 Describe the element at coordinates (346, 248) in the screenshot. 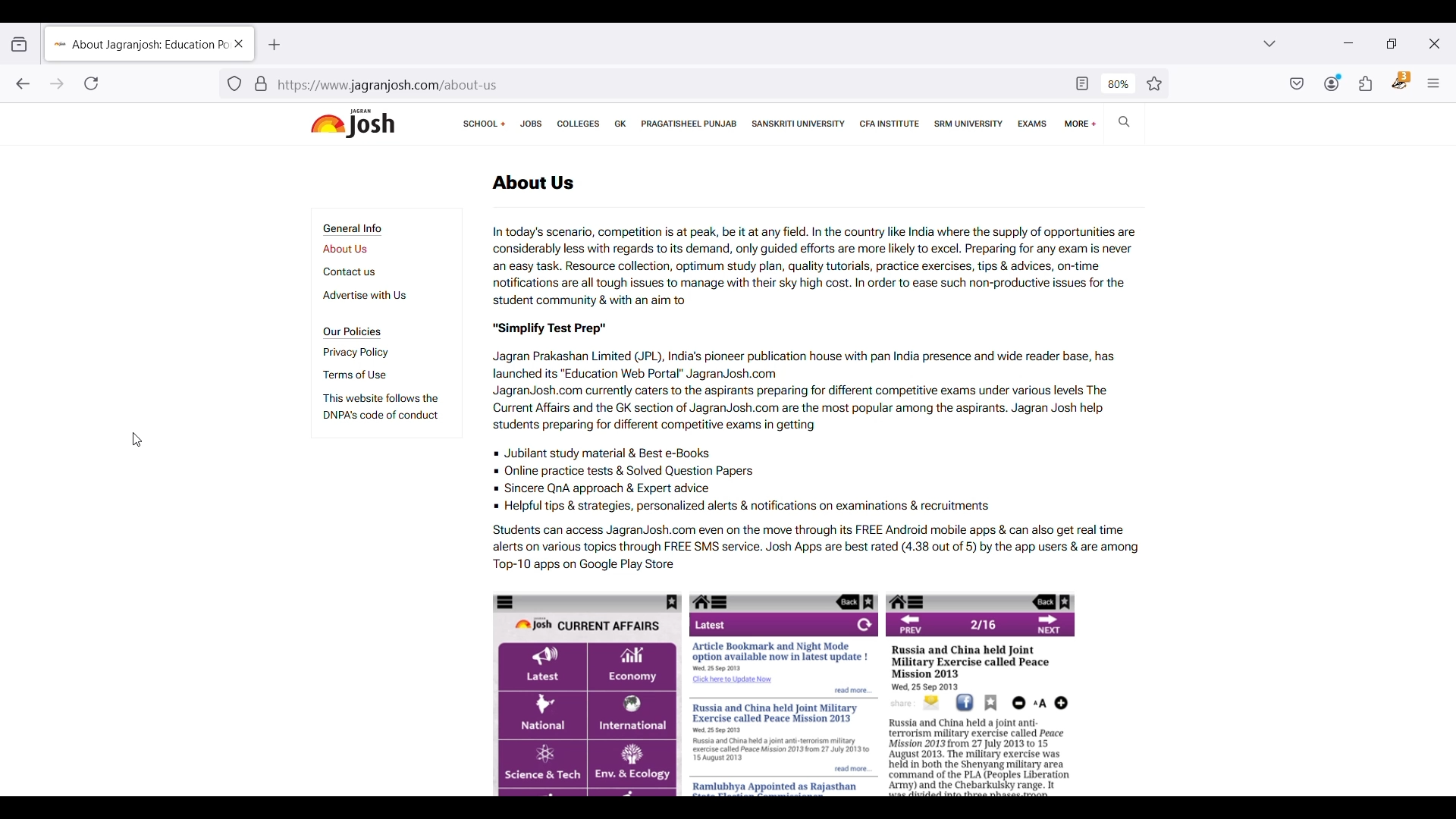

I see `About us page` at that location.